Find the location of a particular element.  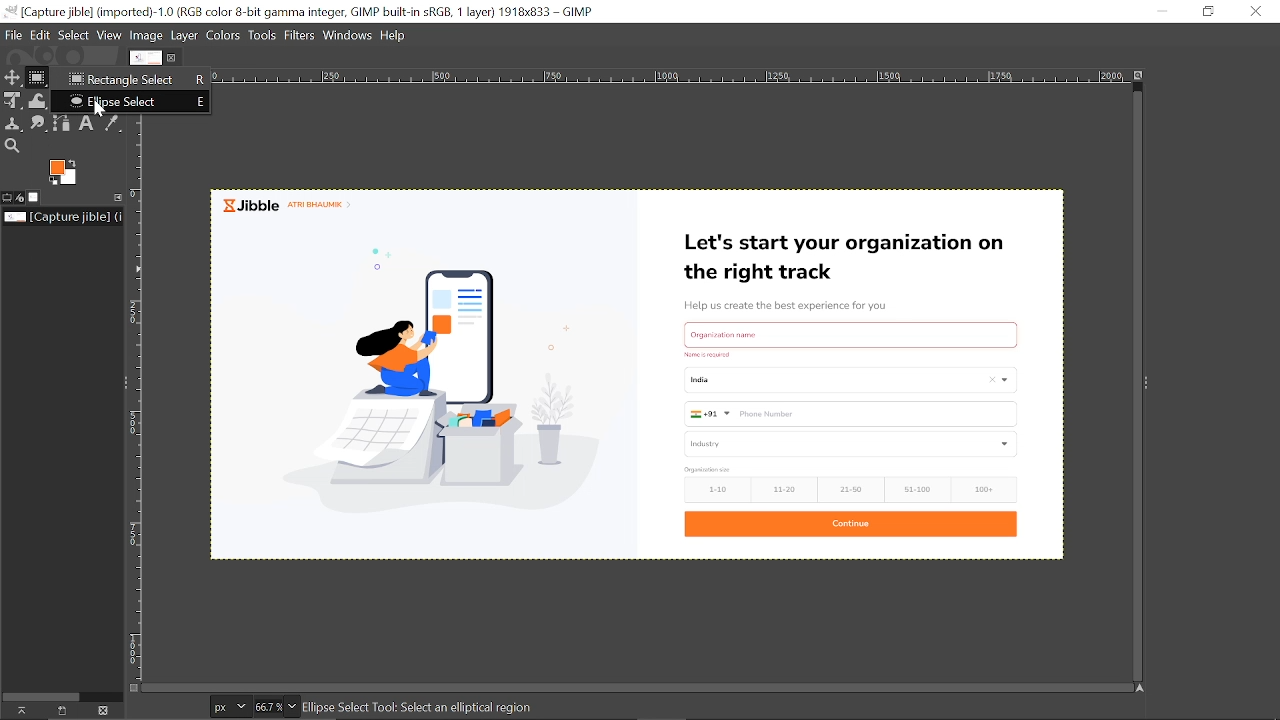

horizontal ruler is located at coordinates (666, 78).